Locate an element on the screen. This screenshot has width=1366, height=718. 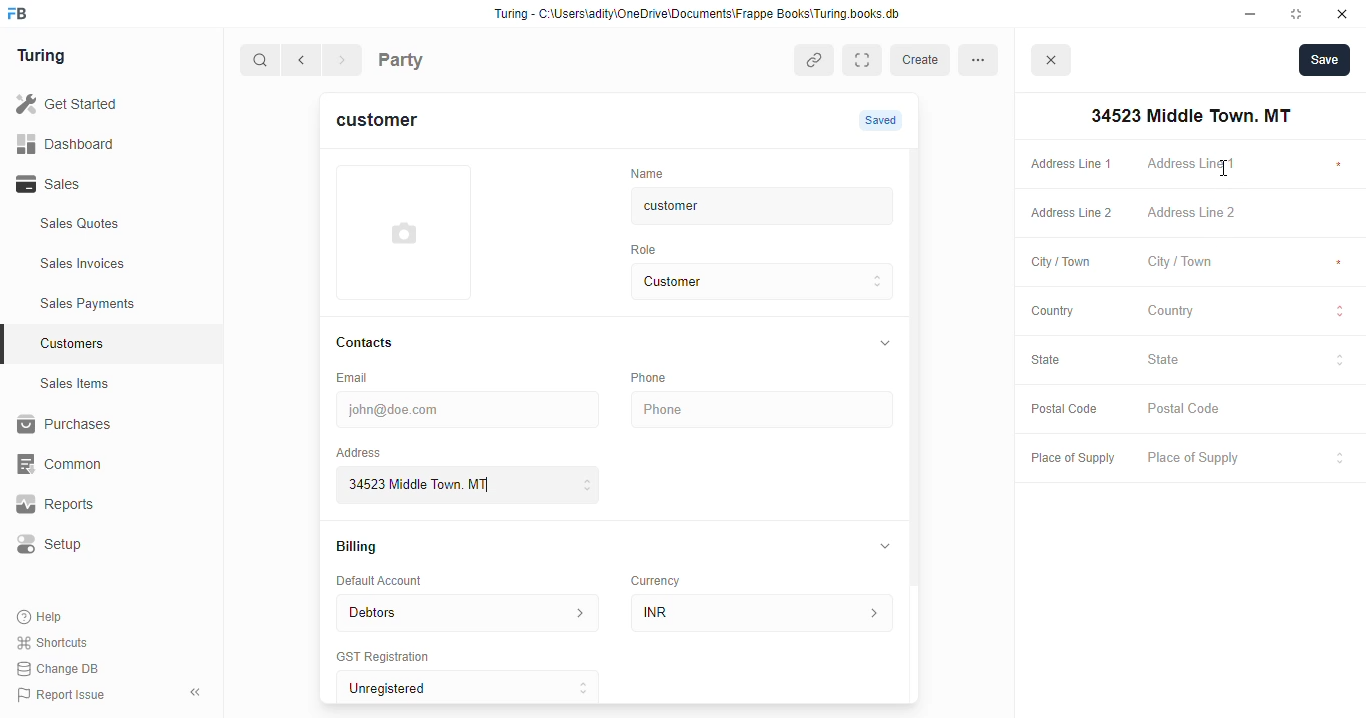
Currency is located at coordinates (664, 576).